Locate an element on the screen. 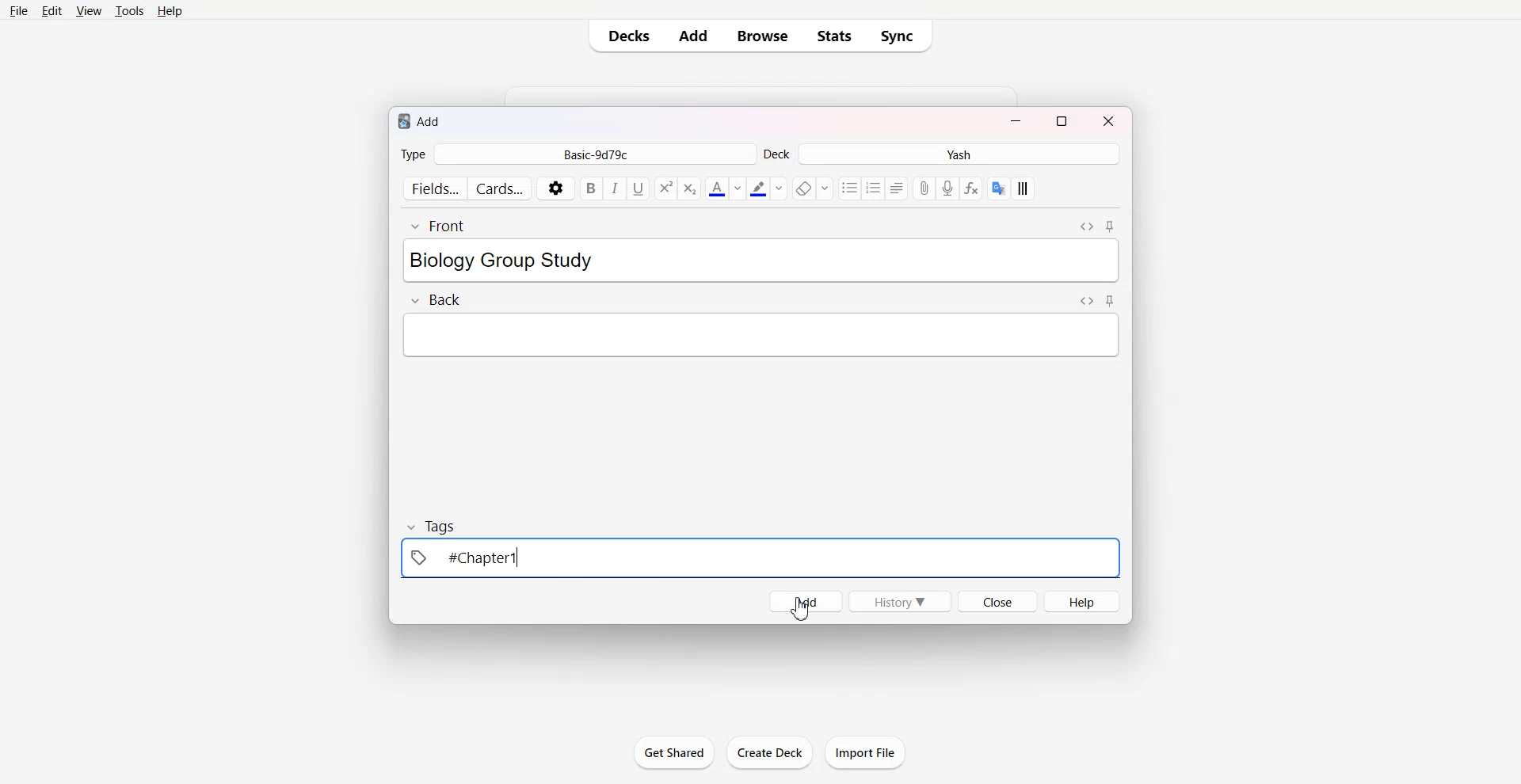 This screenshot has height=784, width=1521. Order list is located at coordinates (875, 188).